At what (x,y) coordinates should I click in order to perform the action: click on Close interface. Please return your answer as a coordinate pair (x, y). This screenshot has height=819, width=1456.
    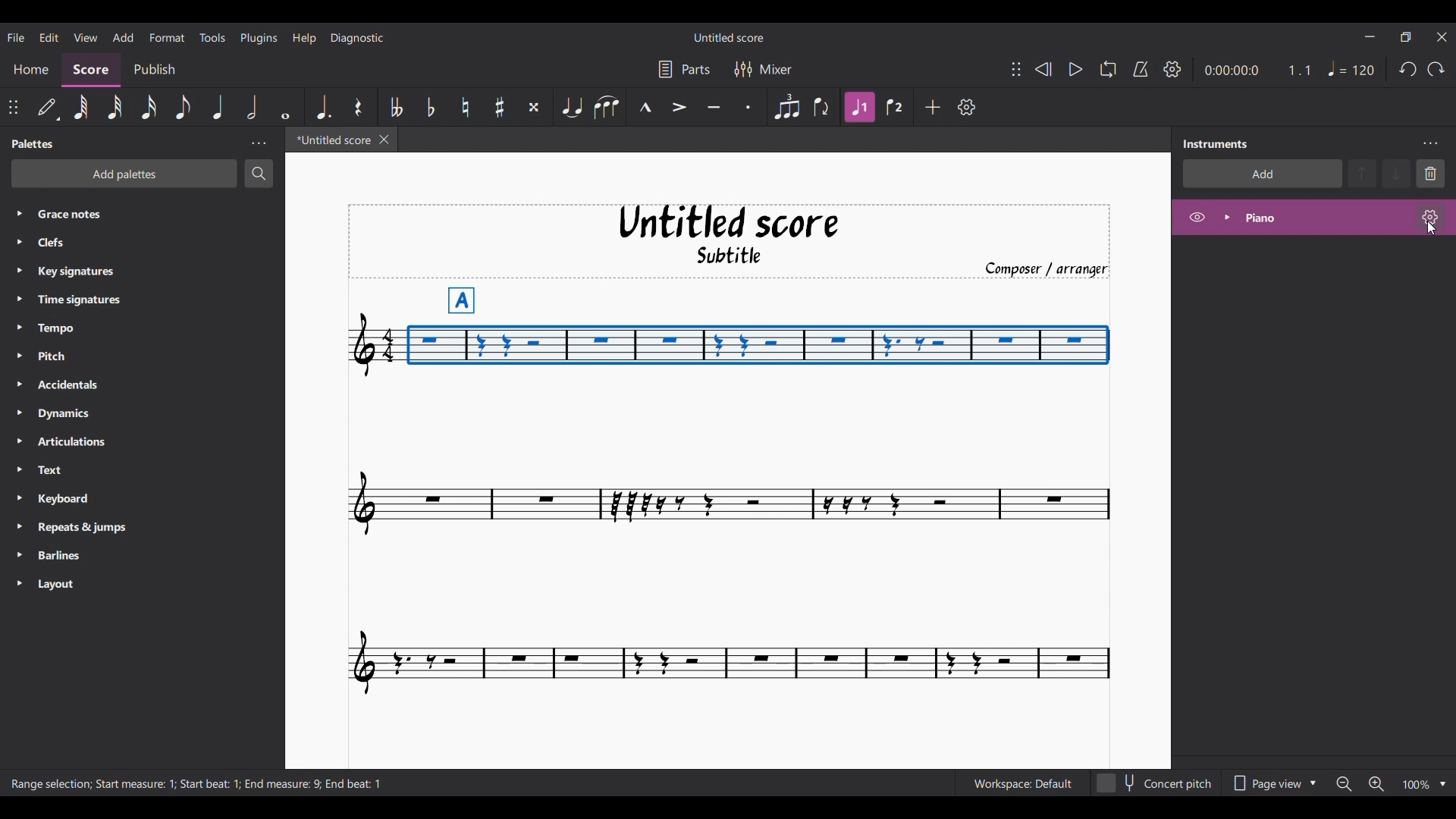
    Looking at the image, I should click on (1442, 37).